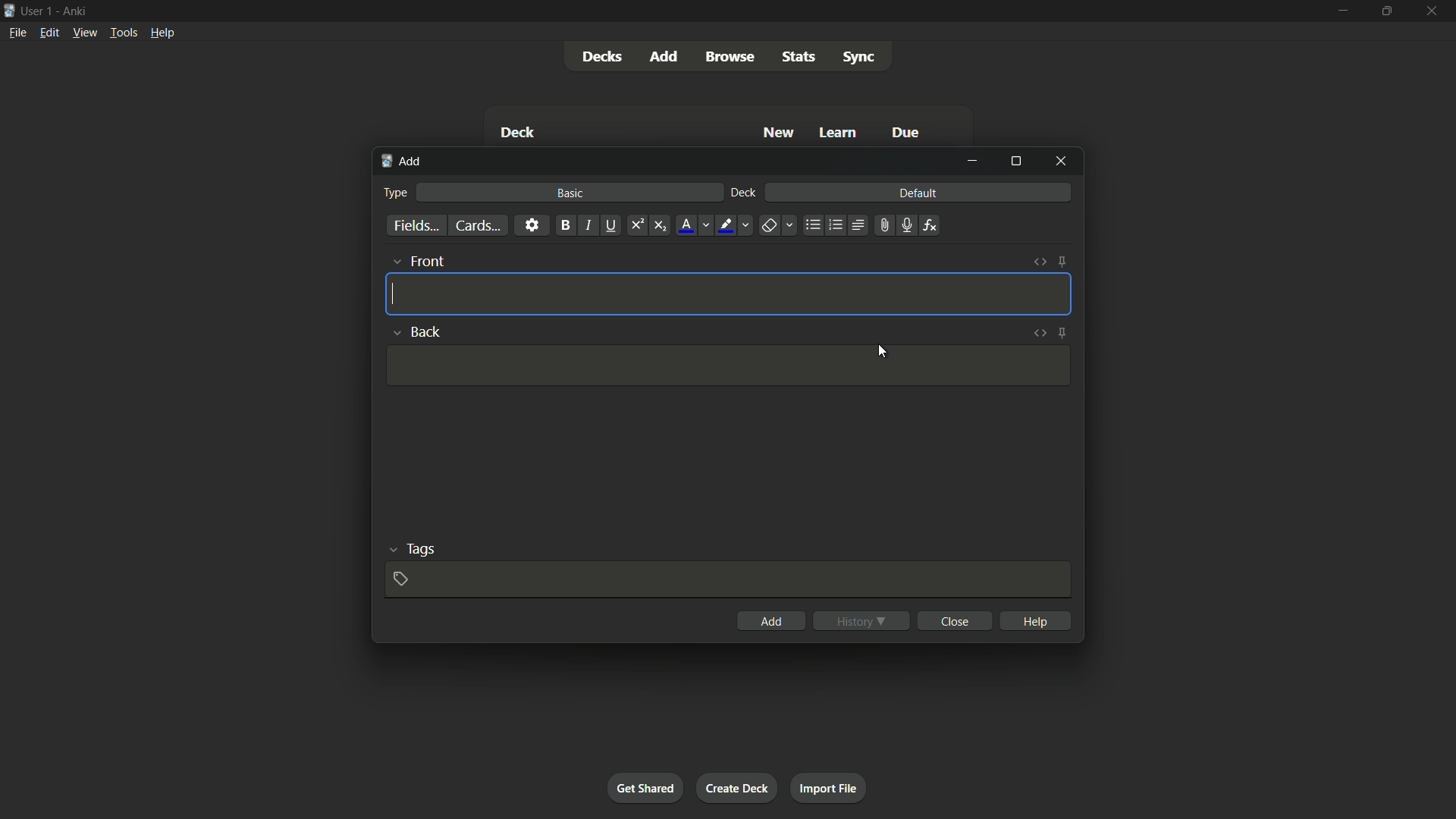  Describe the element at coordinates (636, 224) in the screenshot. I see `superscript` at that location.